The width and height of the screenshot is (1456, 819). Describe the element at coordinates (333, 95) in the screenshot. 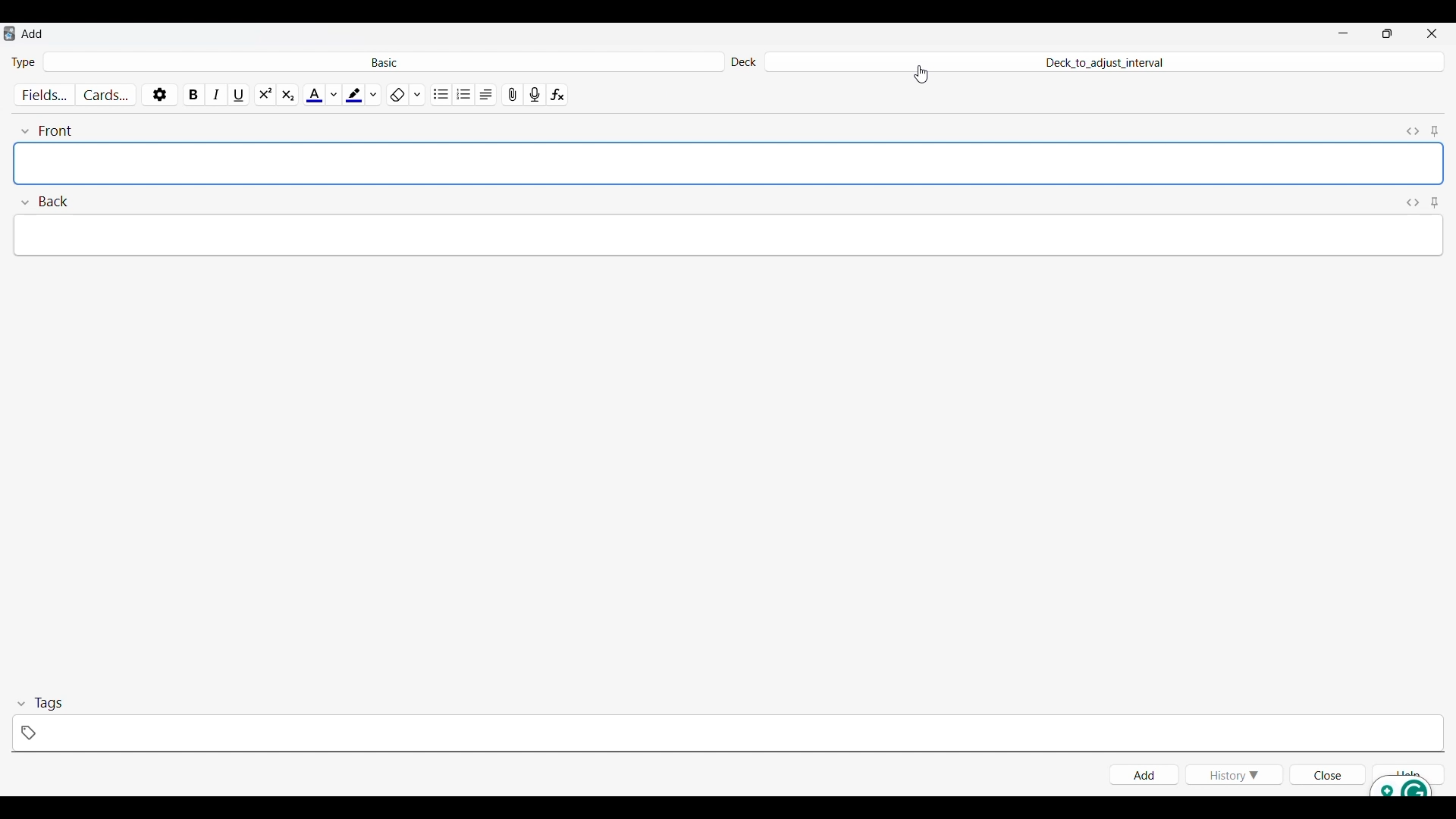

I see `Text color options` at that location.